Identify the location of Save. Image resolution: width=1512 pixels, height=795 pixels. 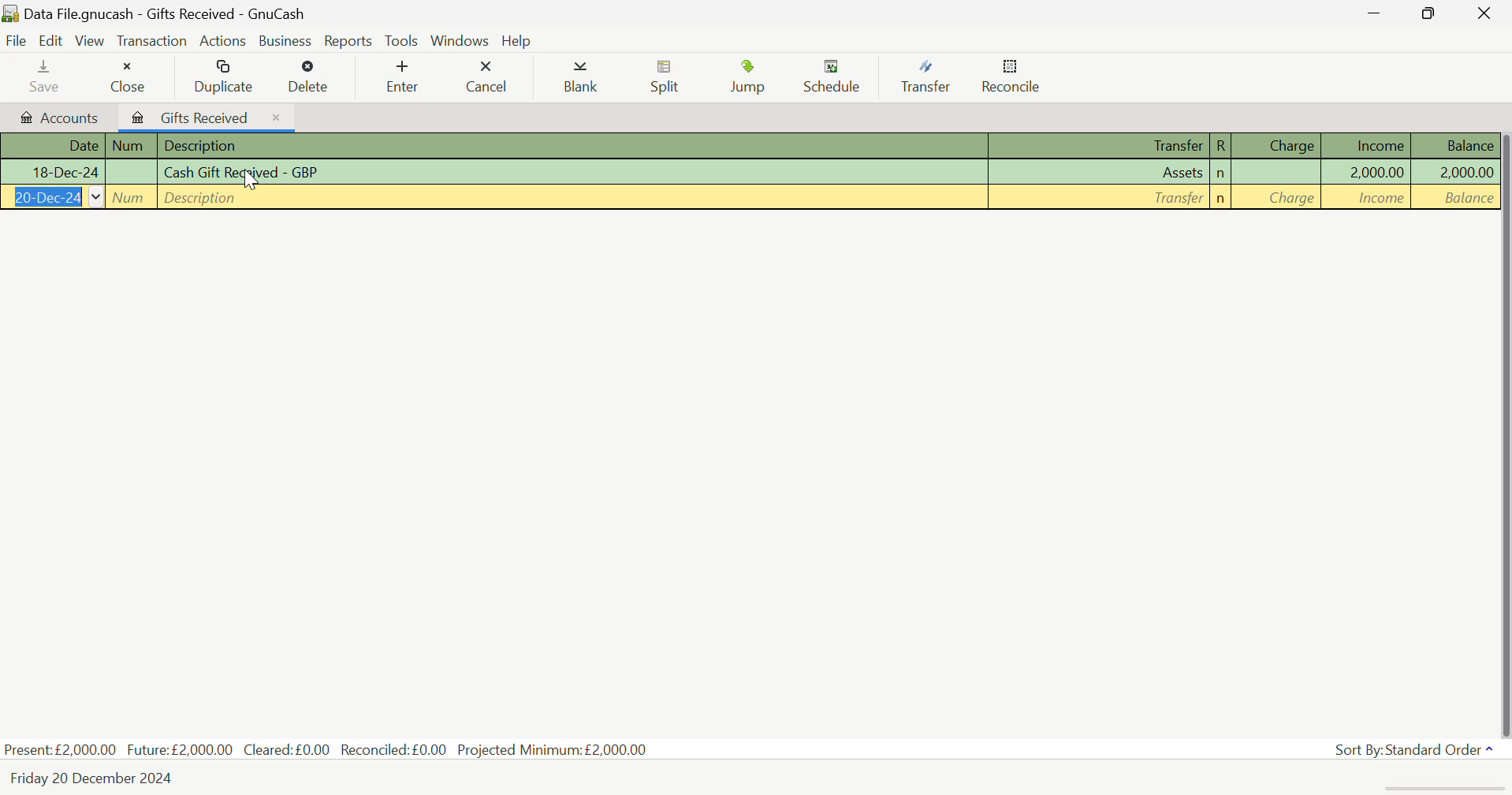
(46, 75).